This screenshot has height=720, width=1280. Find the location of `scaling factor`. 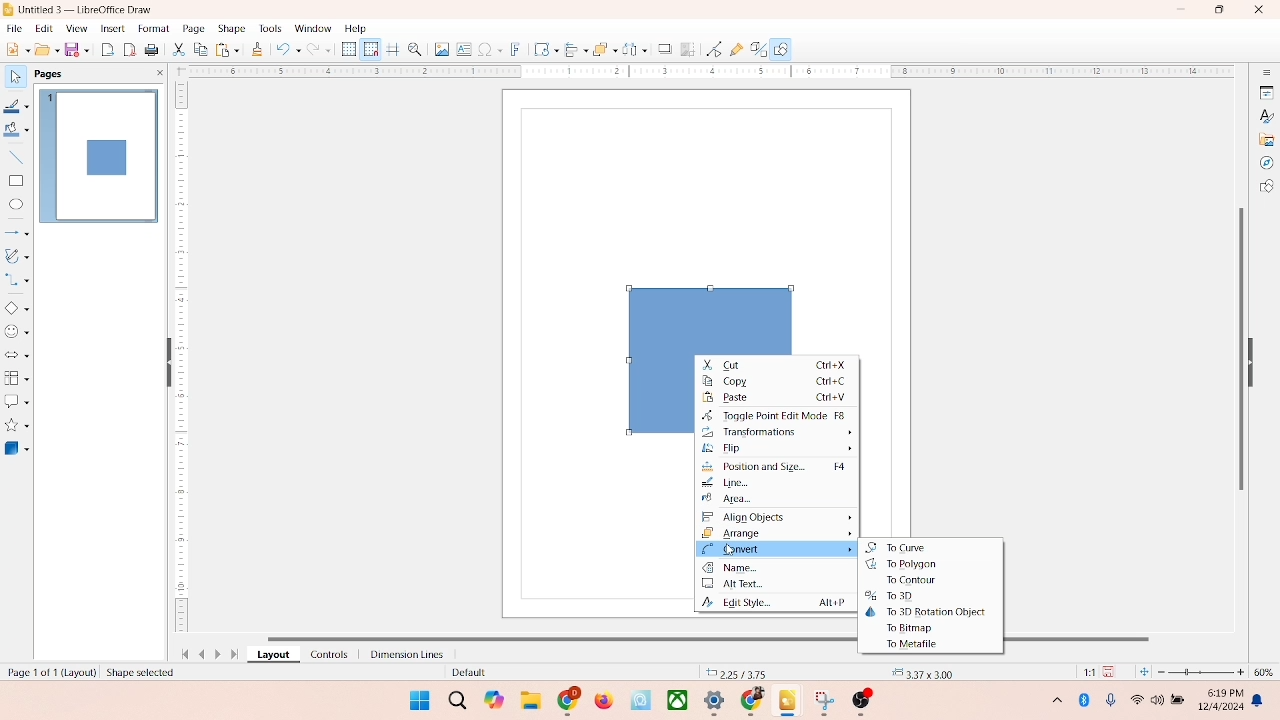

scaling factor is located at coordinates (1084, 672).